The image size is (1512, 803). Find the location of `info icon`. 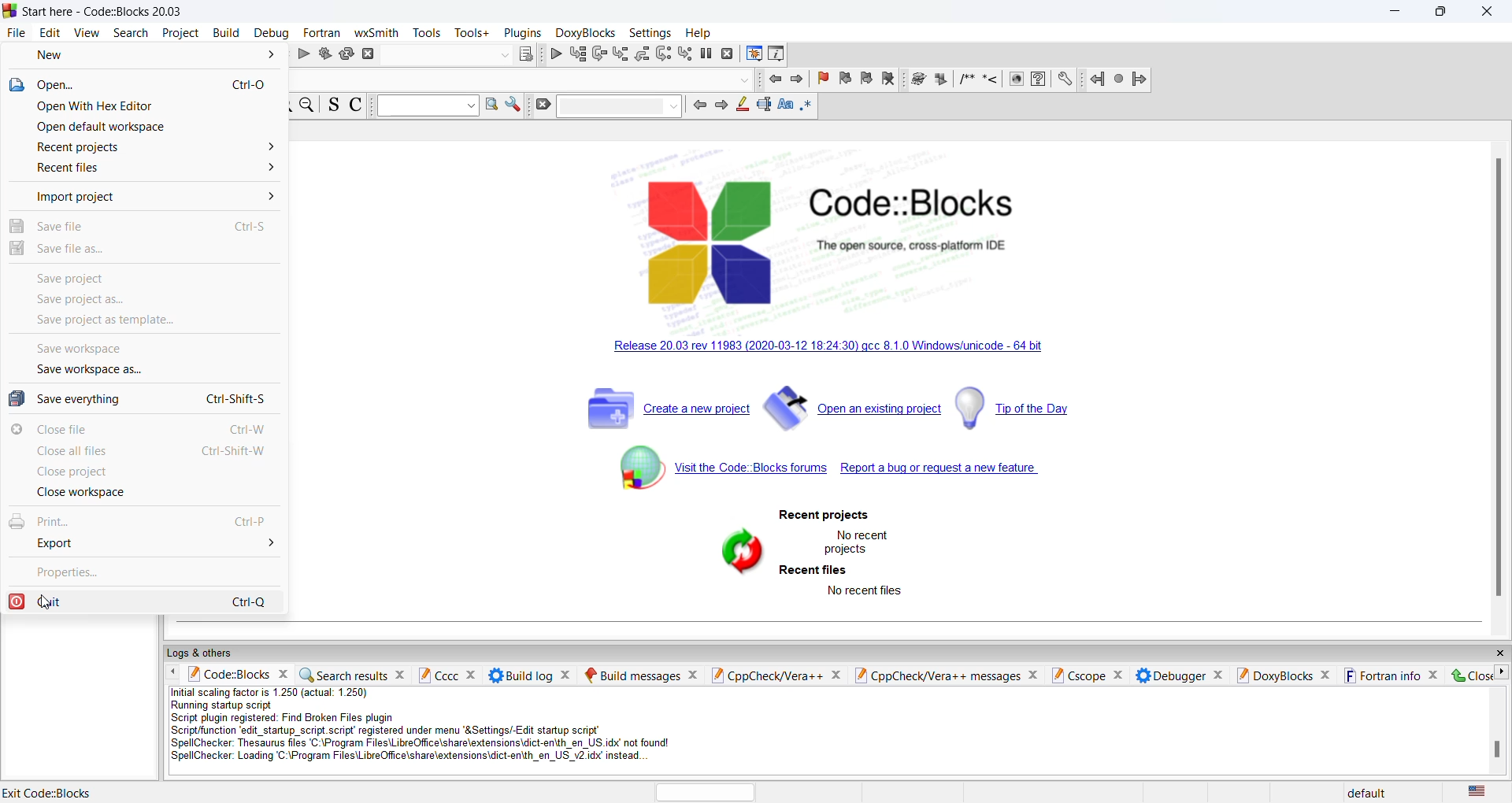

info icon is located at coordinates (1017, 80).